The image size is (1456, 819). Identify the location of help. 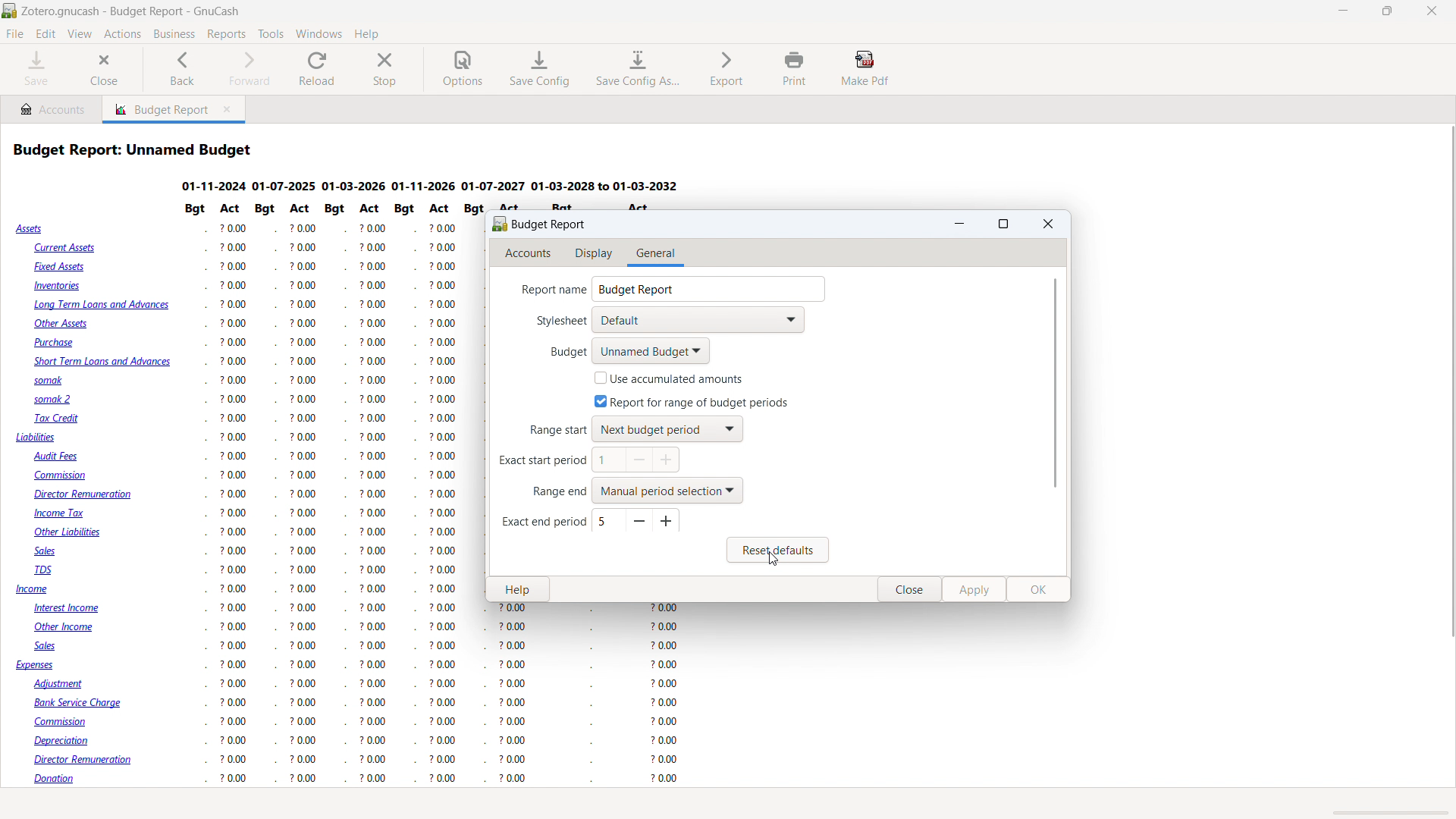
(518, 590).